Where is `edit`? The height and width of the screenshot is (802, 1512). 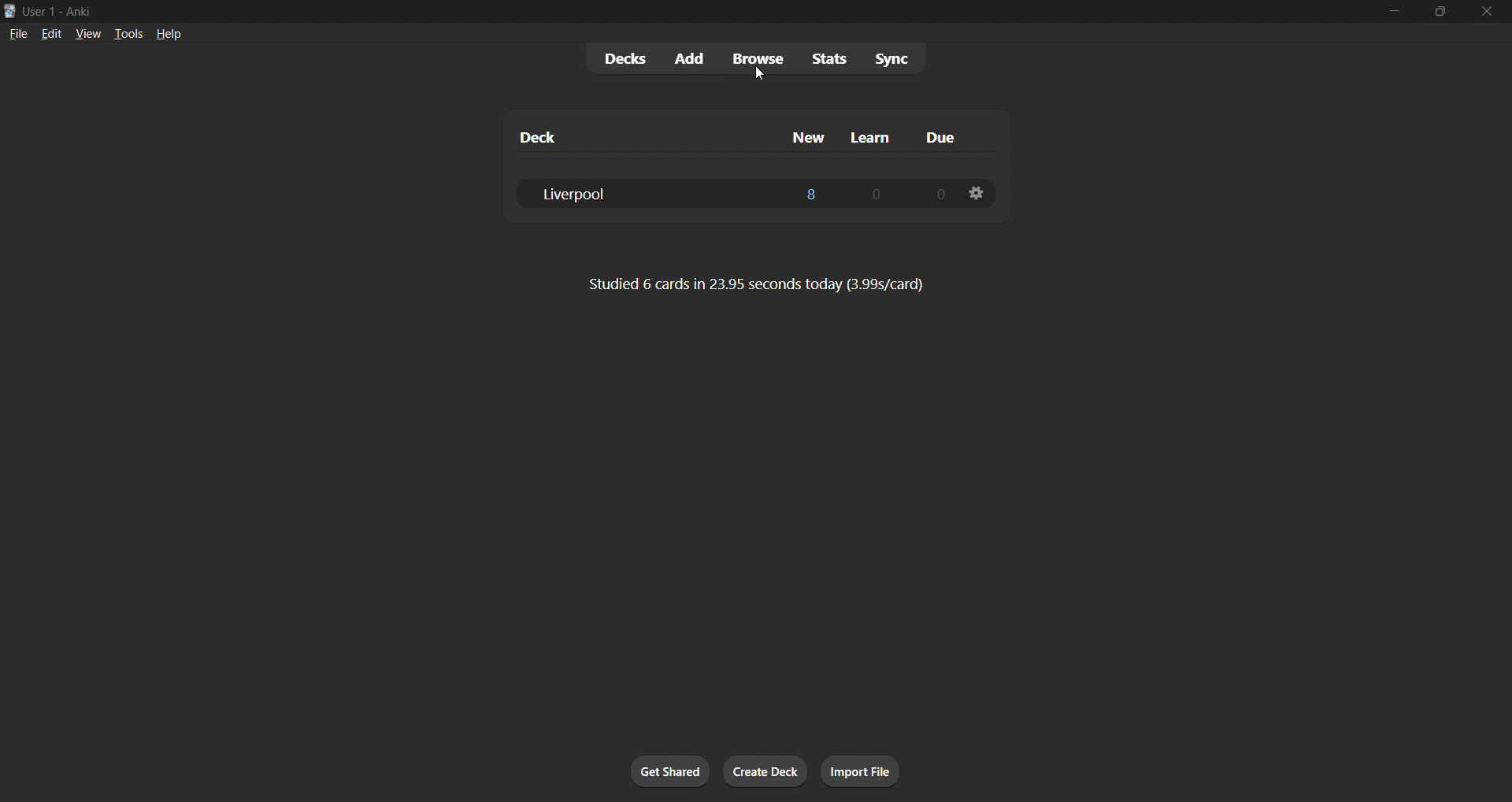 edit is located at coordinates (51, 32).